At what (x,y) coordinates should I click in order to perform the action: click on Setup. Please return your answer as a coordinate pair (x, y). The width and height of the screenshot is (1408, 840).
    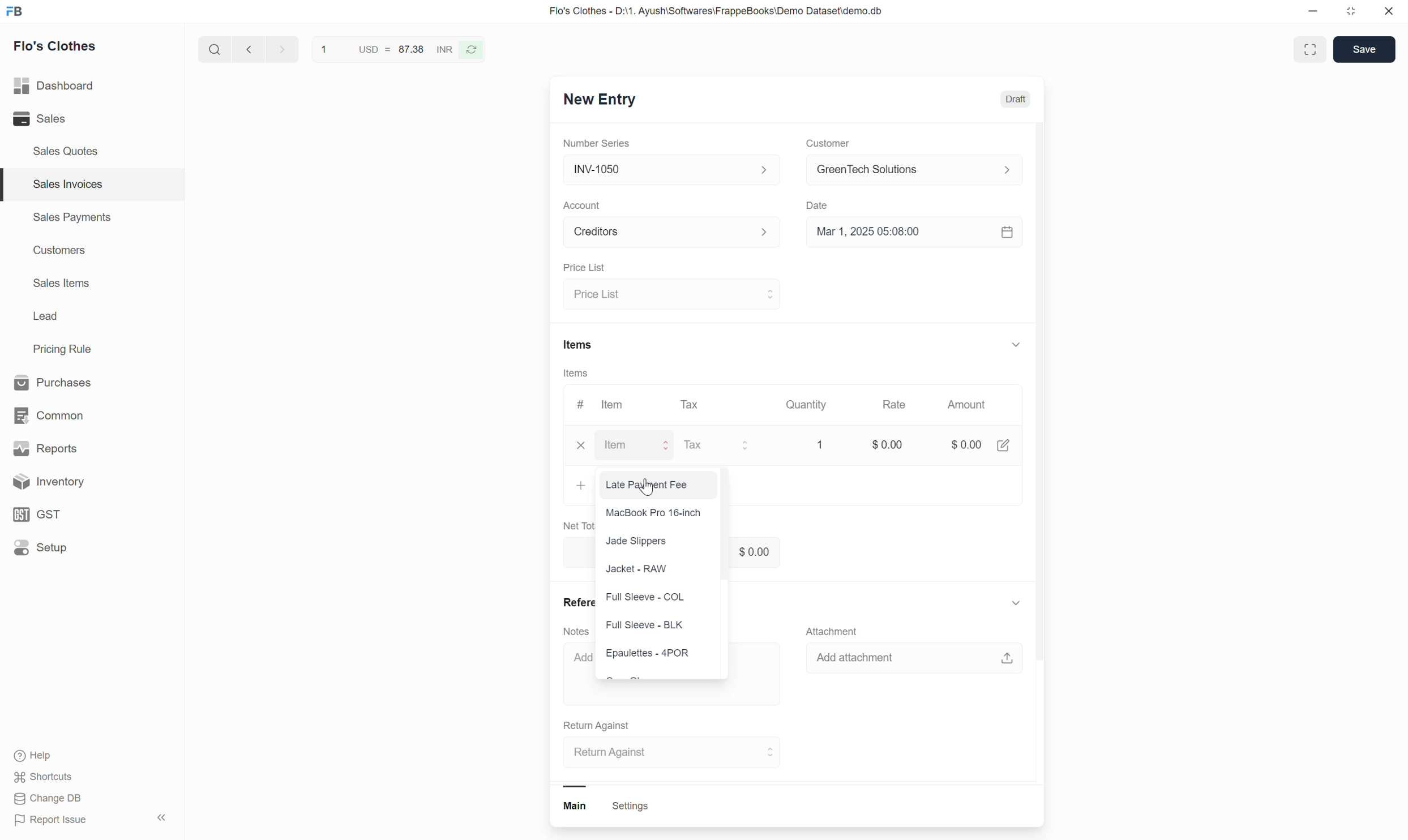
    Looking at the image, I should click on (82, 551).